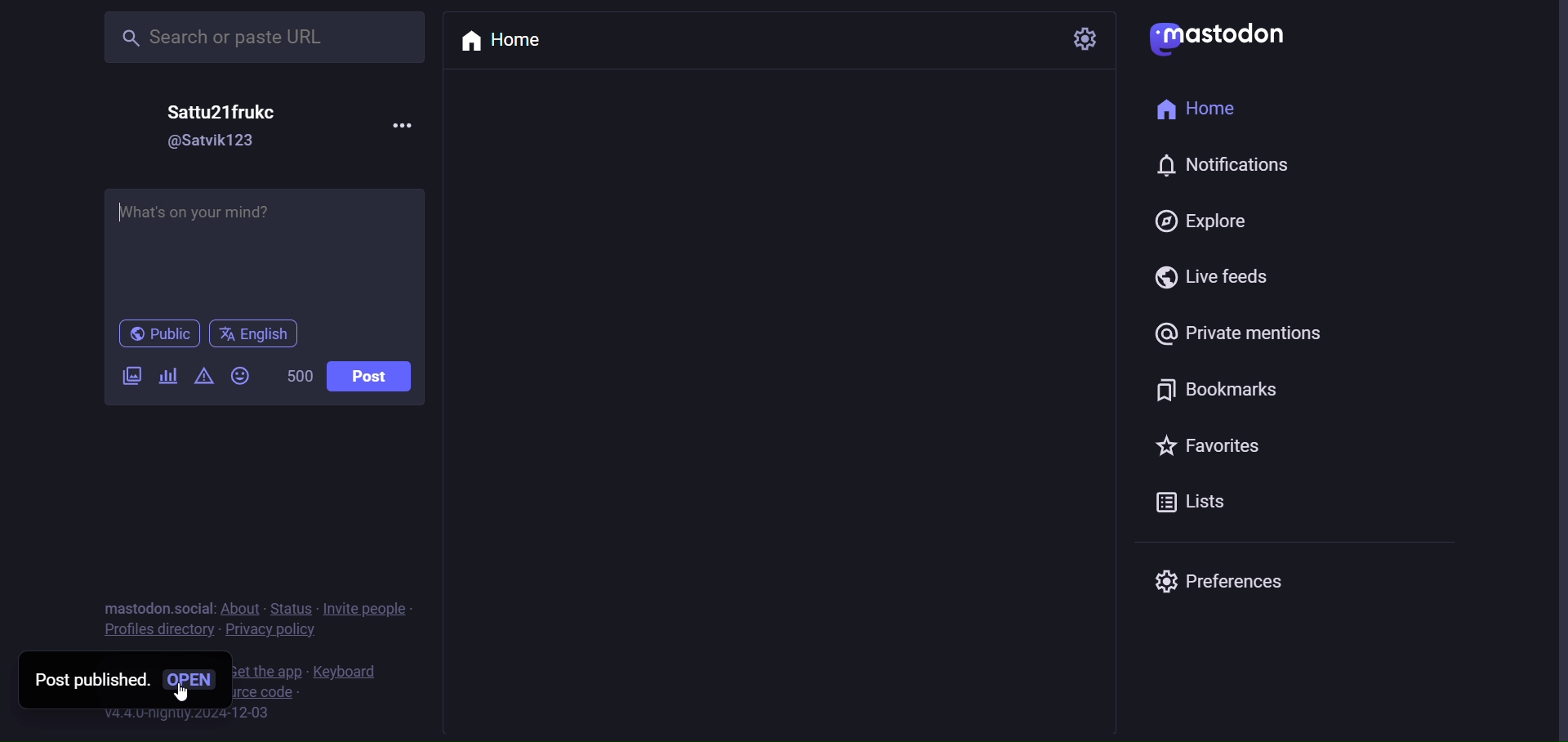  What do you see at coordinates (262, 38) in the screenshot?
I see `search` at bounding box center [262, 38].